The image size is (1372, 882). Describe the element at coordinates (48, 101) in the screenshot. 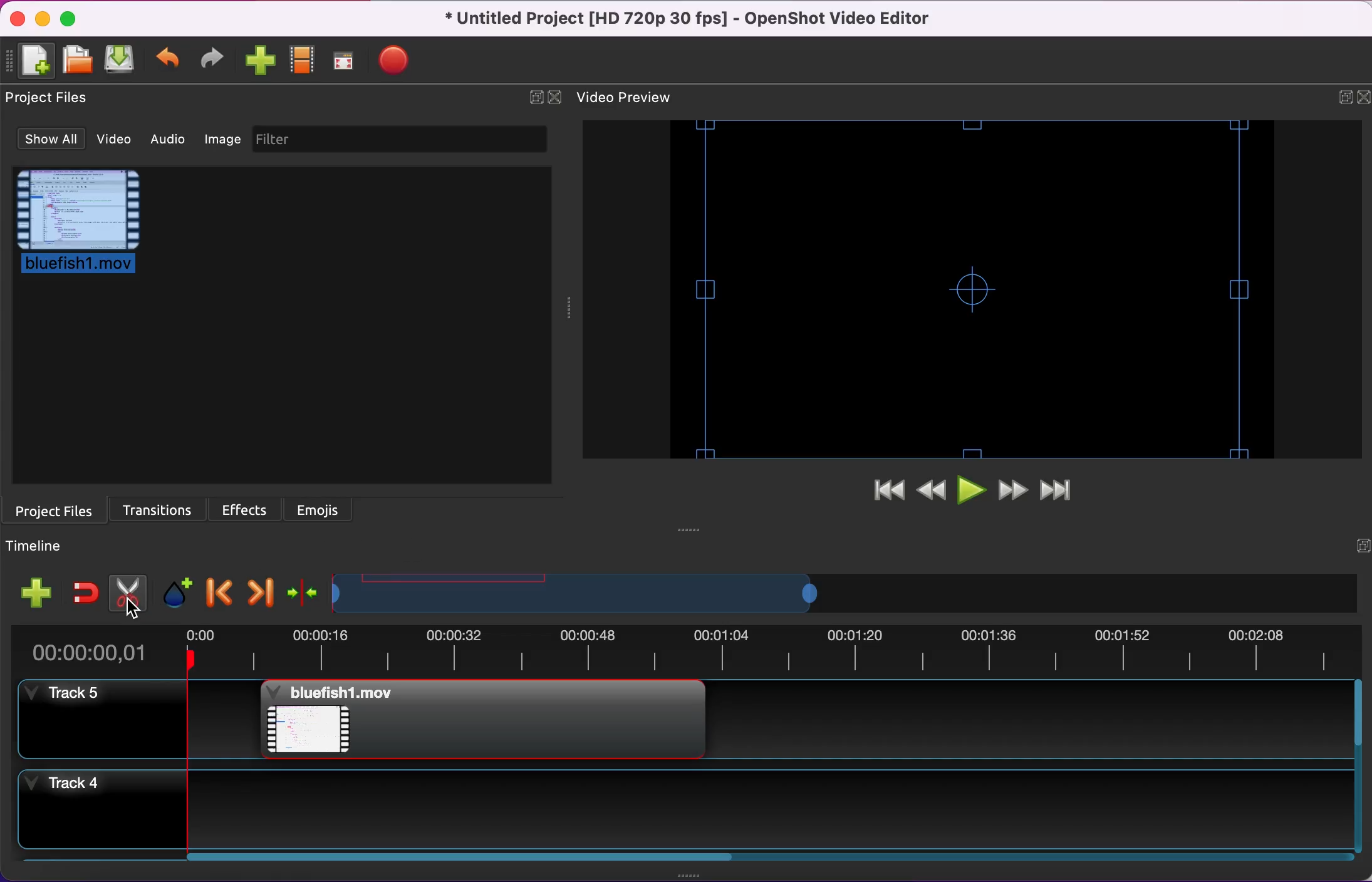

I see `project files` at that location.